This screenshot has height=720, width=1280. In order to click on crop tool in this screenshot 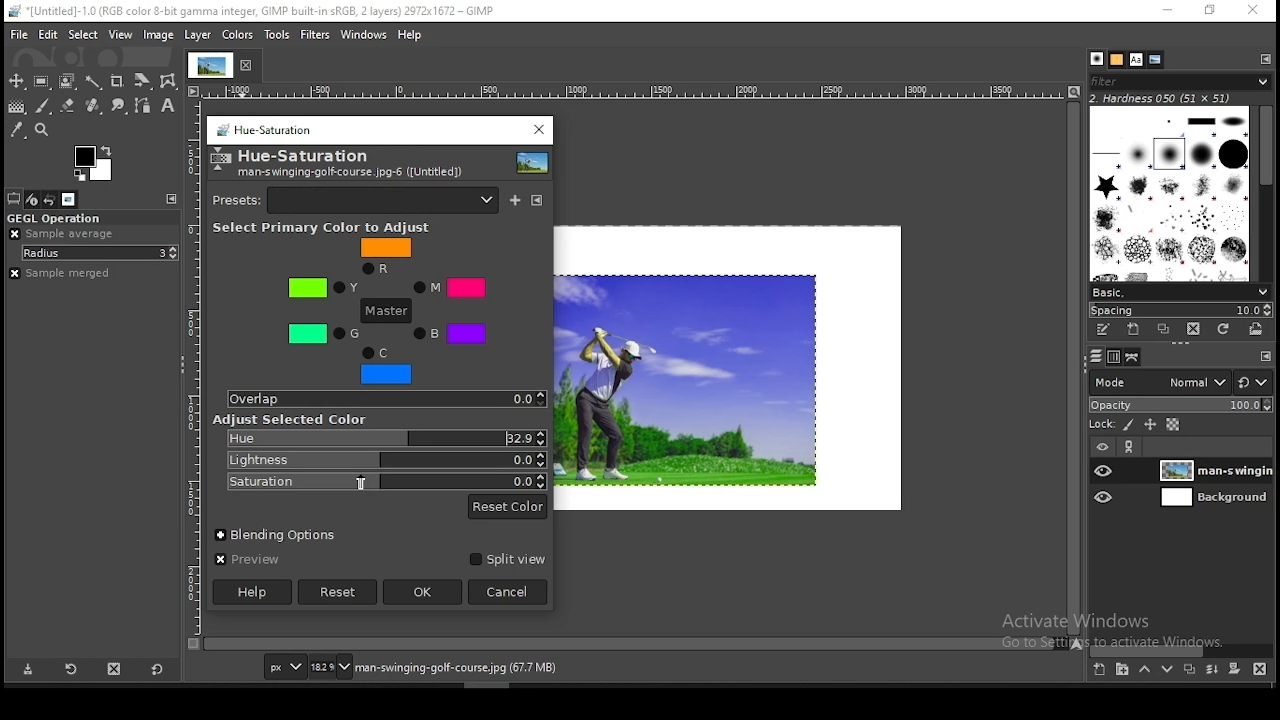, I will do `click(118, 82)`.